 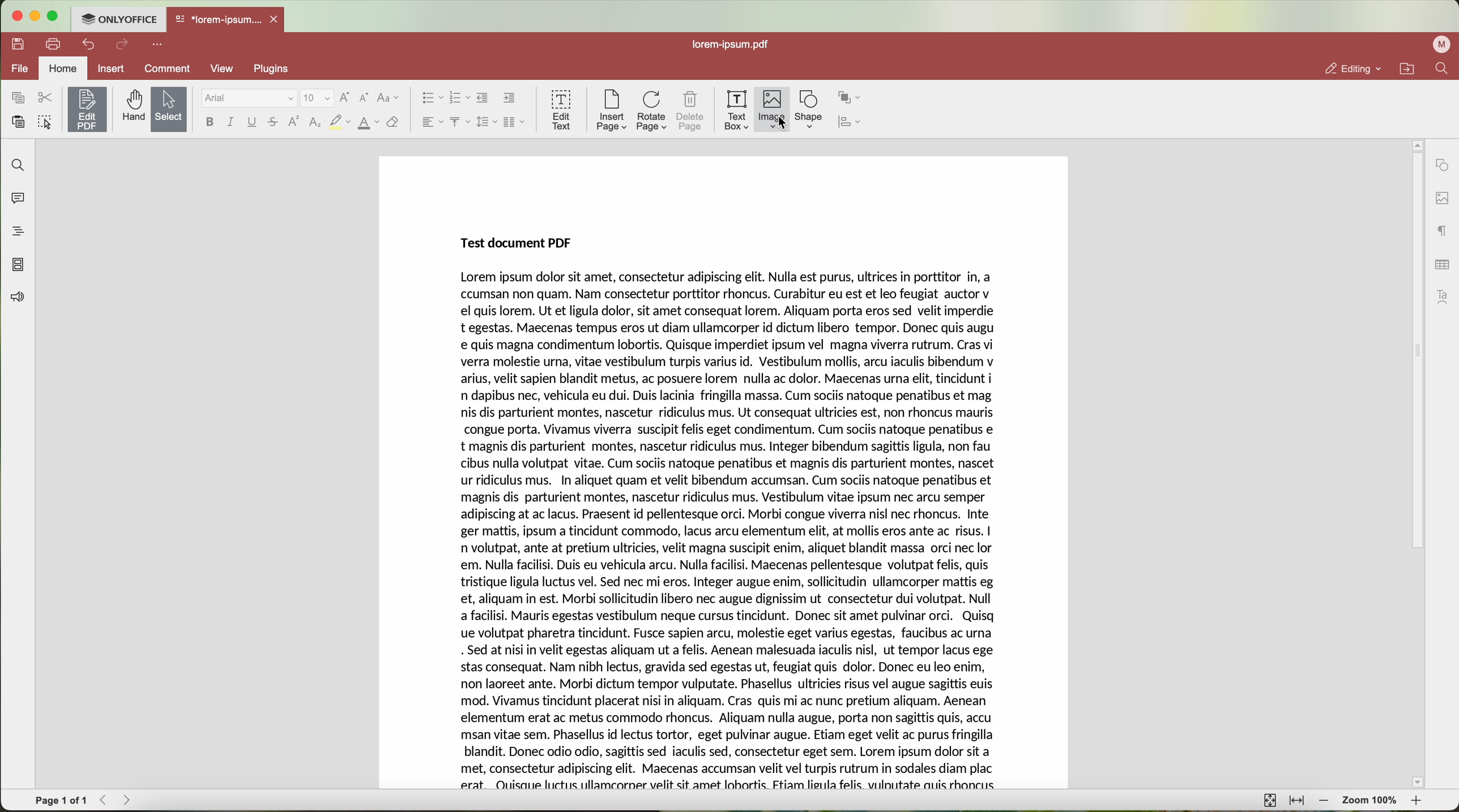 I want to click on ONLYOFFICE, so click(x=118, y=18).